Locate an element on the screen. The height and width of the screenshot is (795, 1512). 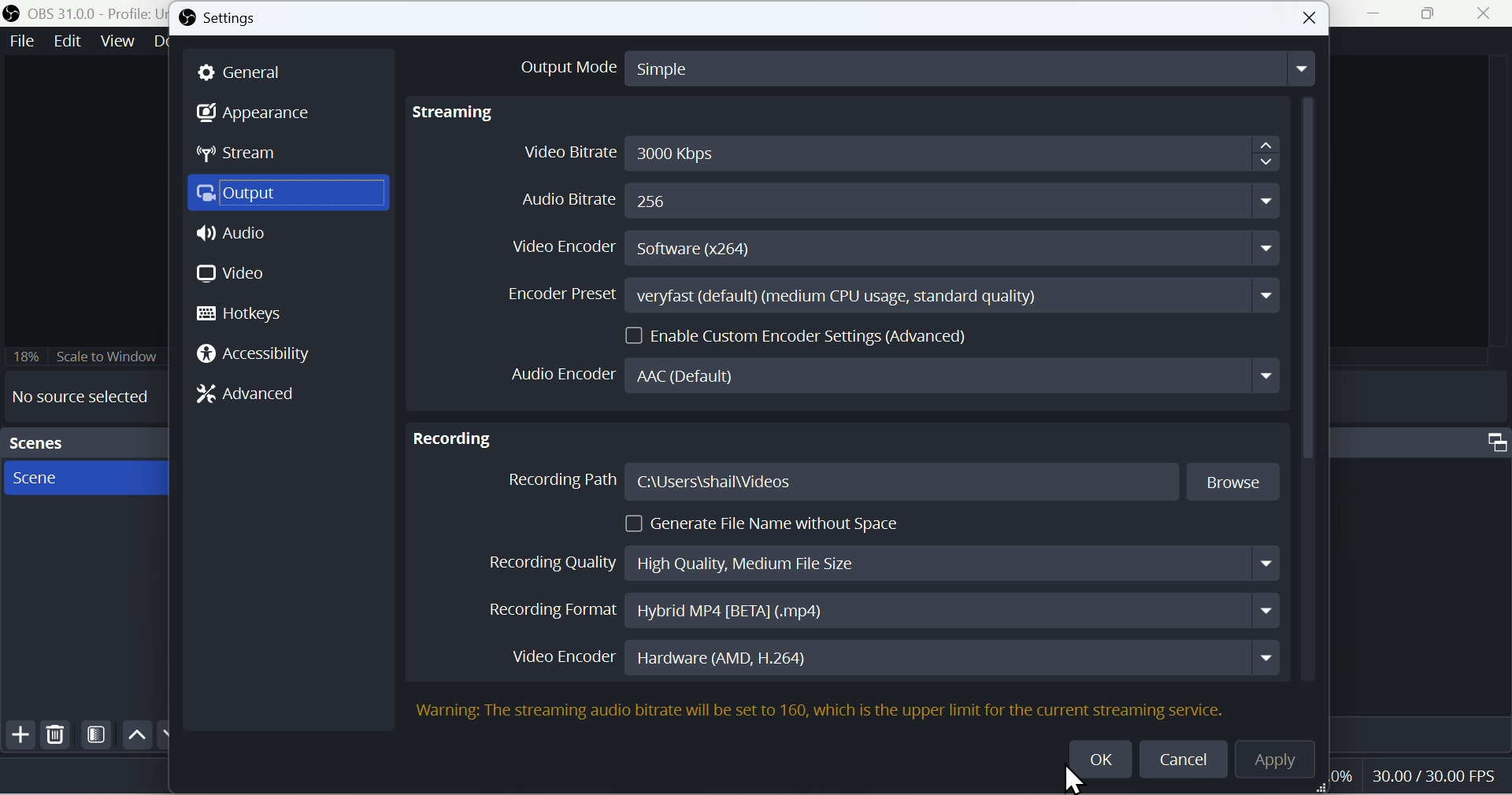
minimise is located at coordinates (1380, 15).